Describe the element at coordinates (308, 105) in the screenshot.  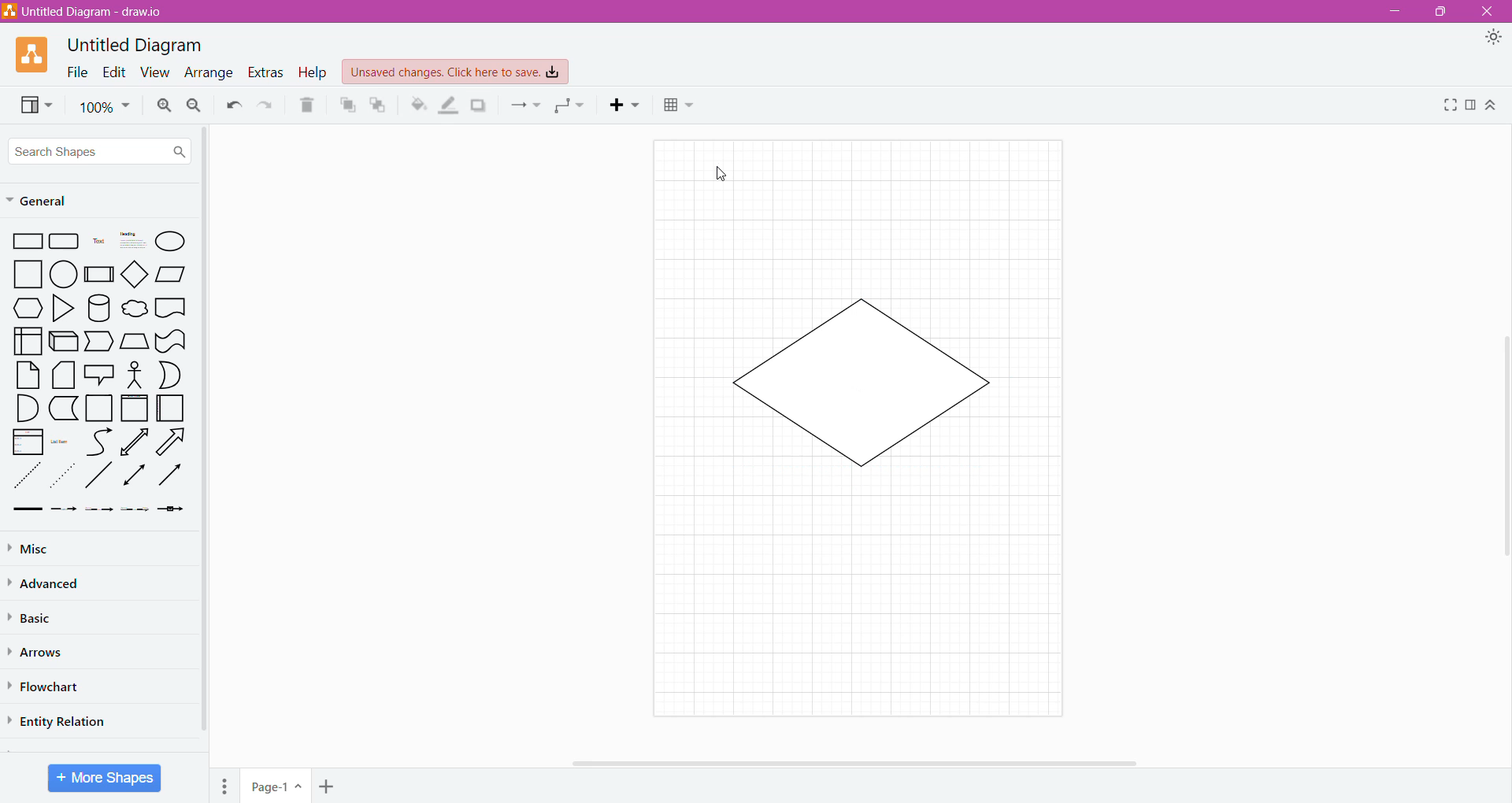
I see `Delete` at that location.